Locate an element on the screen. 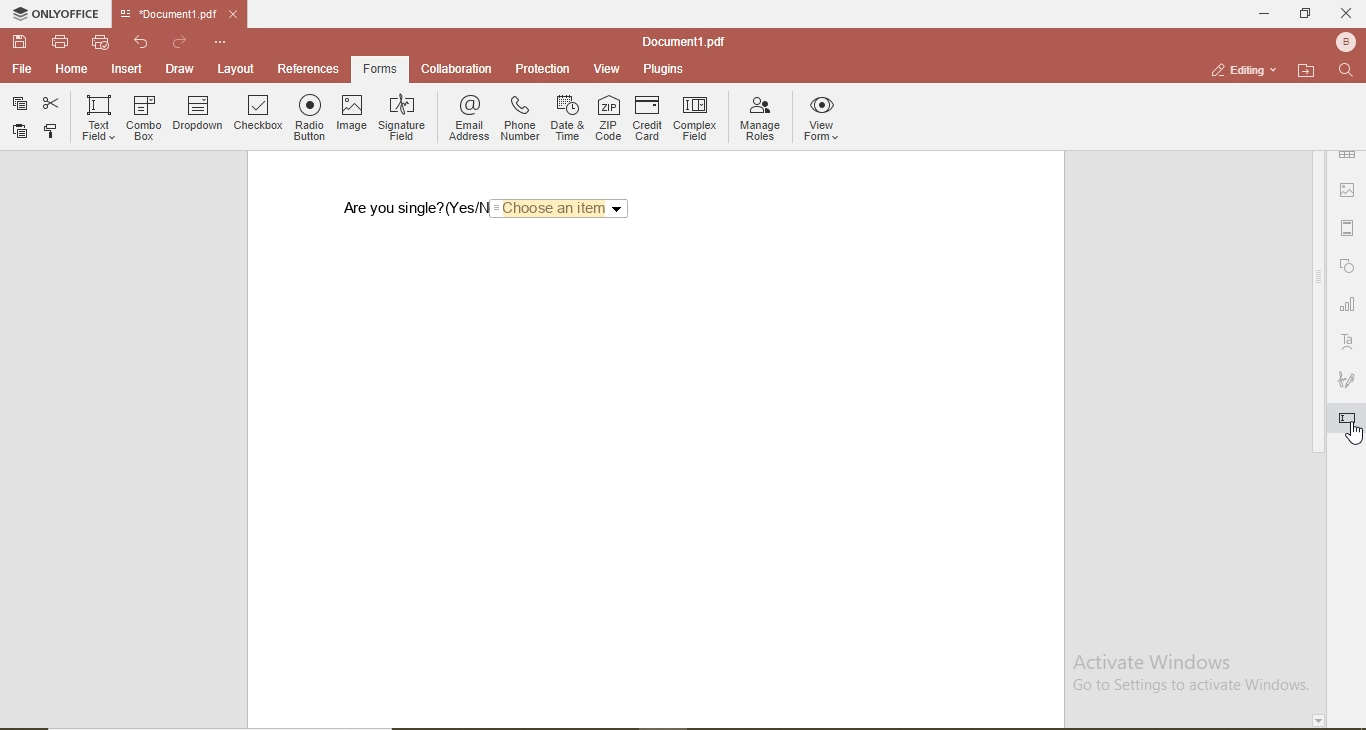 The width and height of the screenshot is (1366, 730). margin is located at coordinates (1348, 225).